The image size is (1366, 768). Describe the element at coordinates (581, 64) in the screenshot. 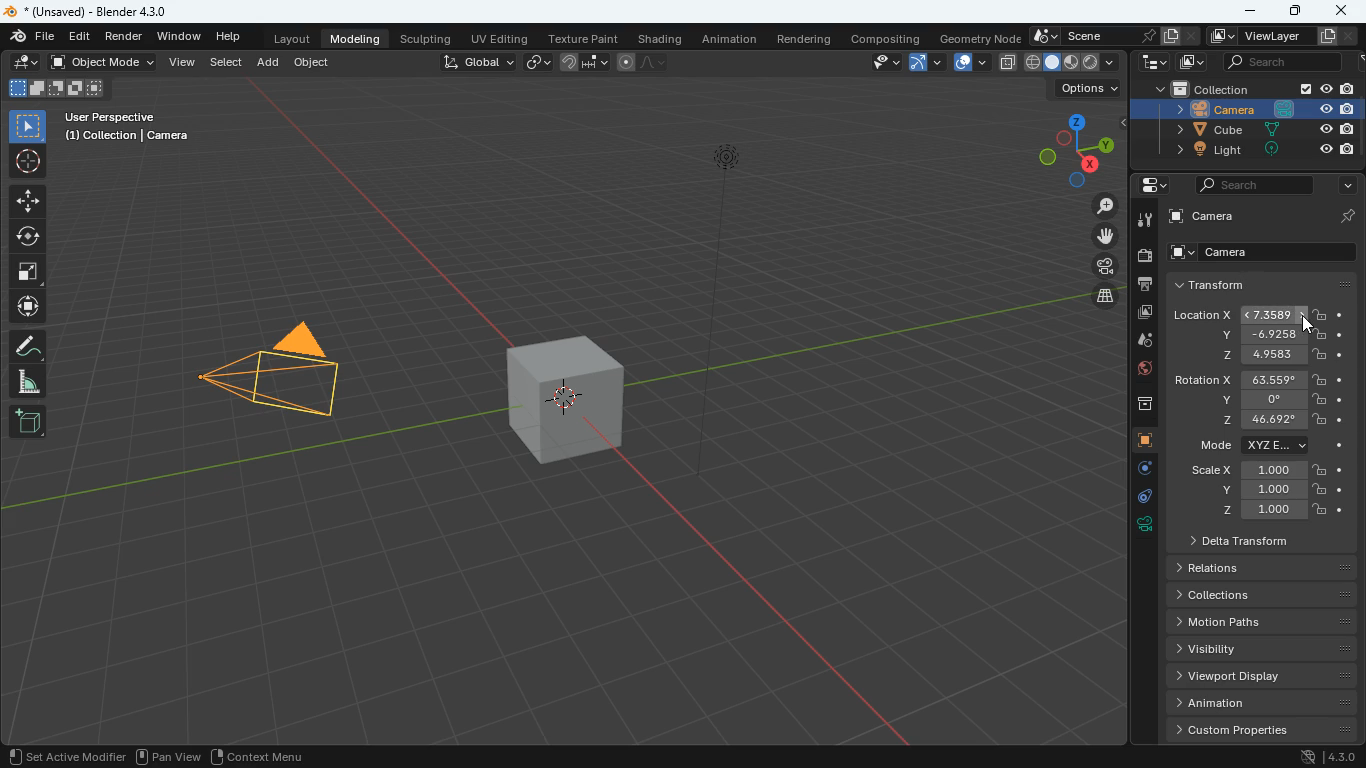

I see `join` at that location.